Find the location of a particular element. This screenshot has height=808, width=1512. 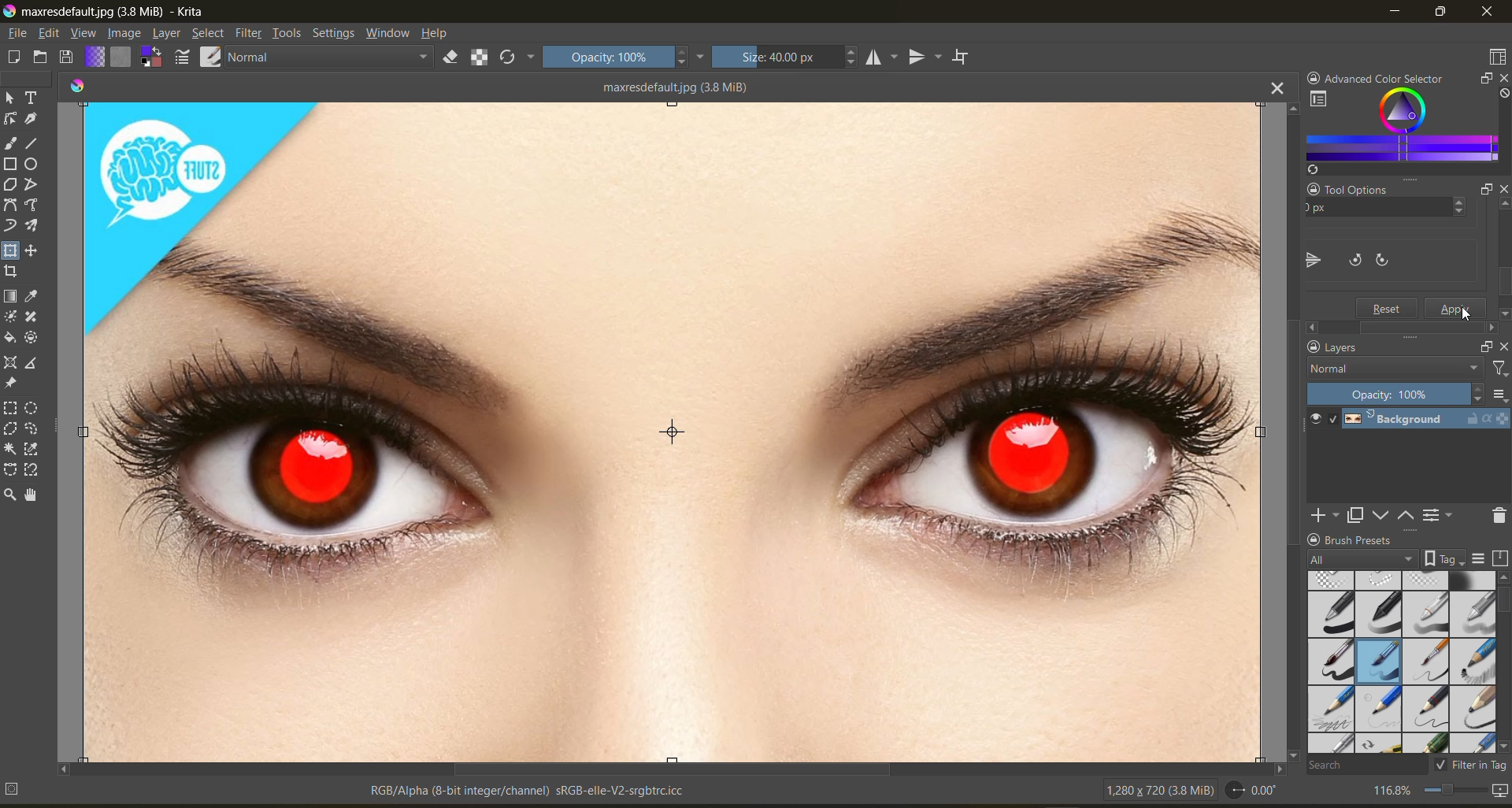

tool is located at coordinates (10, 206).